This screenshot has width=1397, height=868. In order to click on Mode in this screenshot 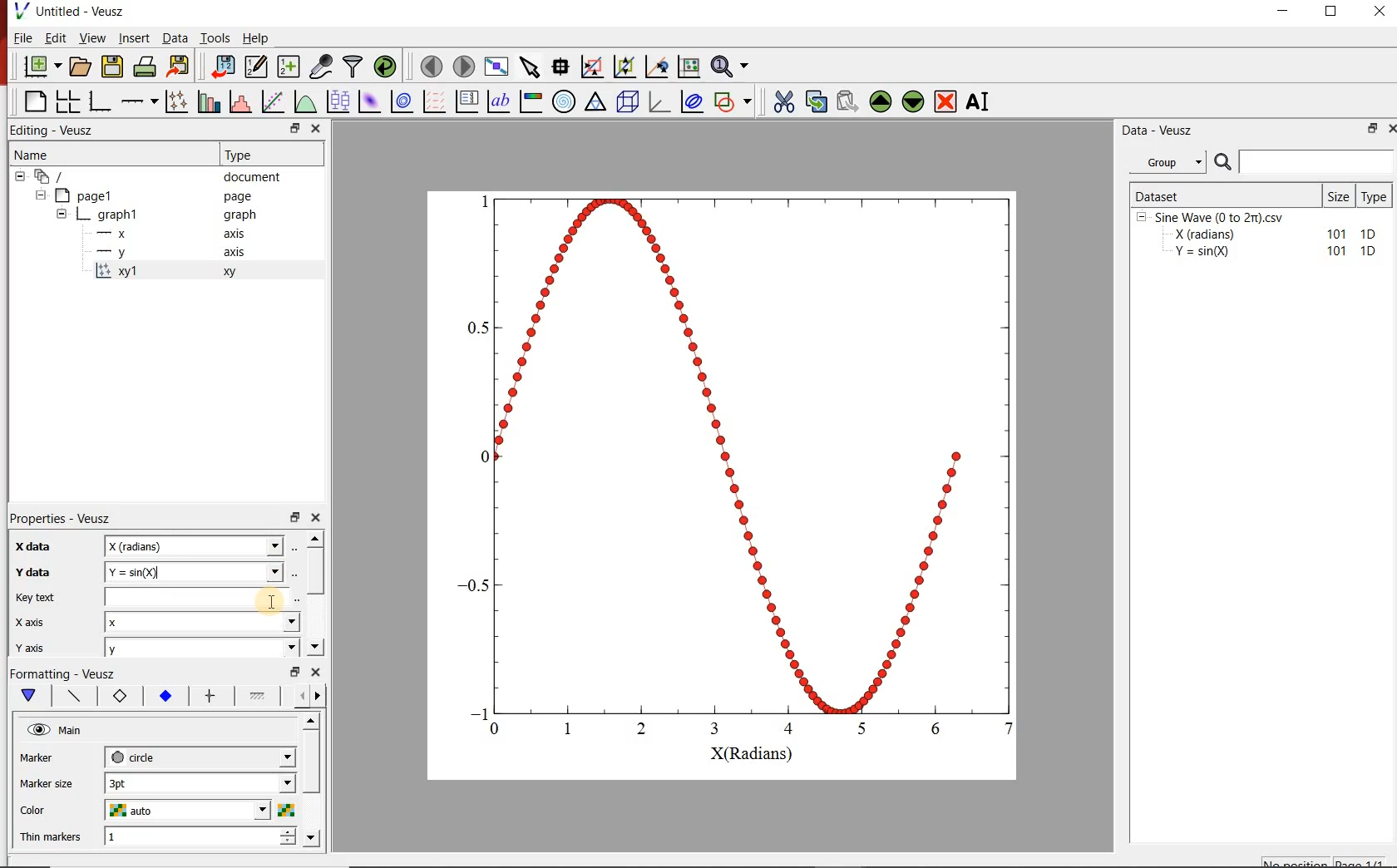, I will do `click(29, 644)`.